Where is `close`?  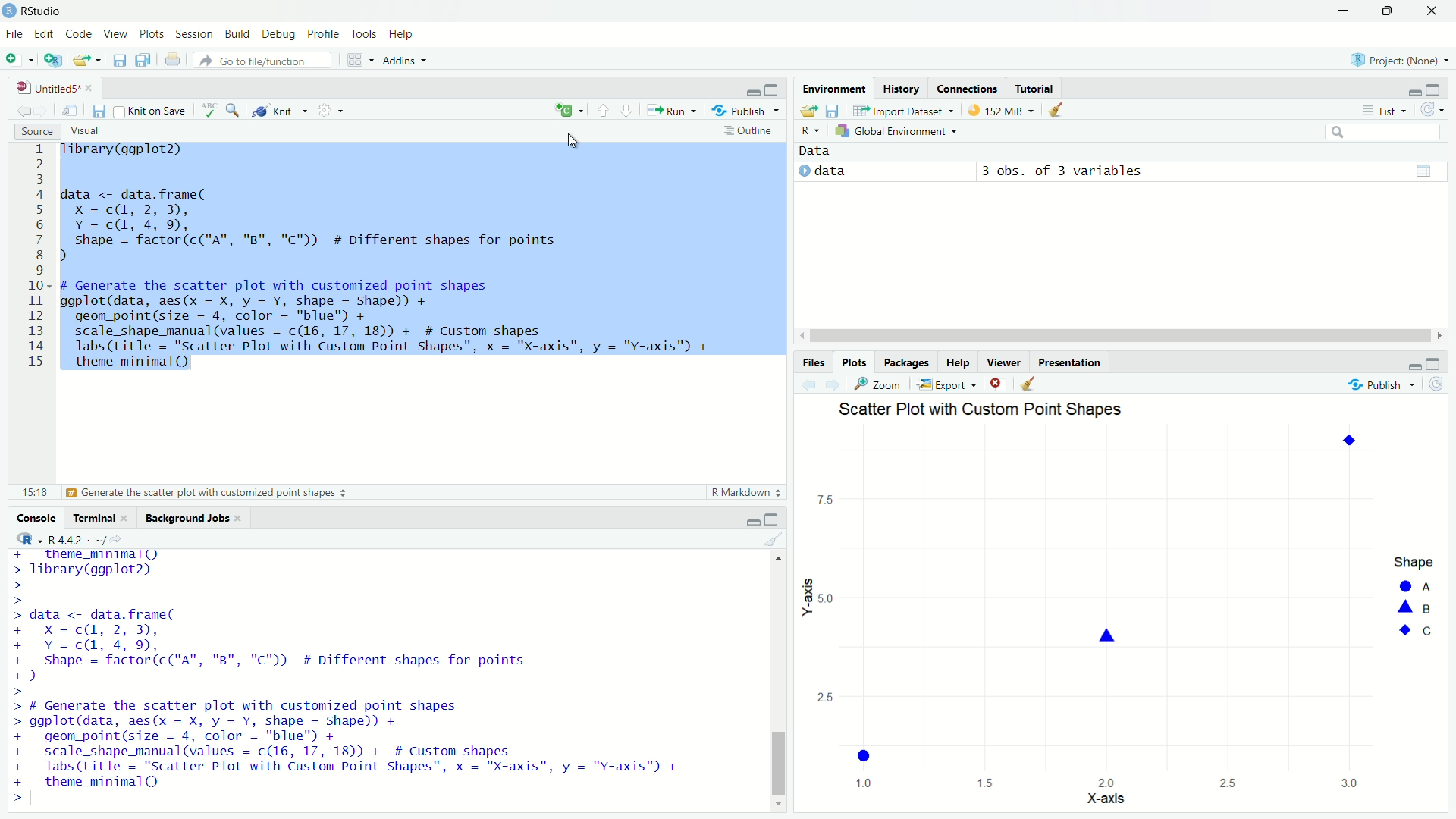 close is located at coordinates (89, 88).